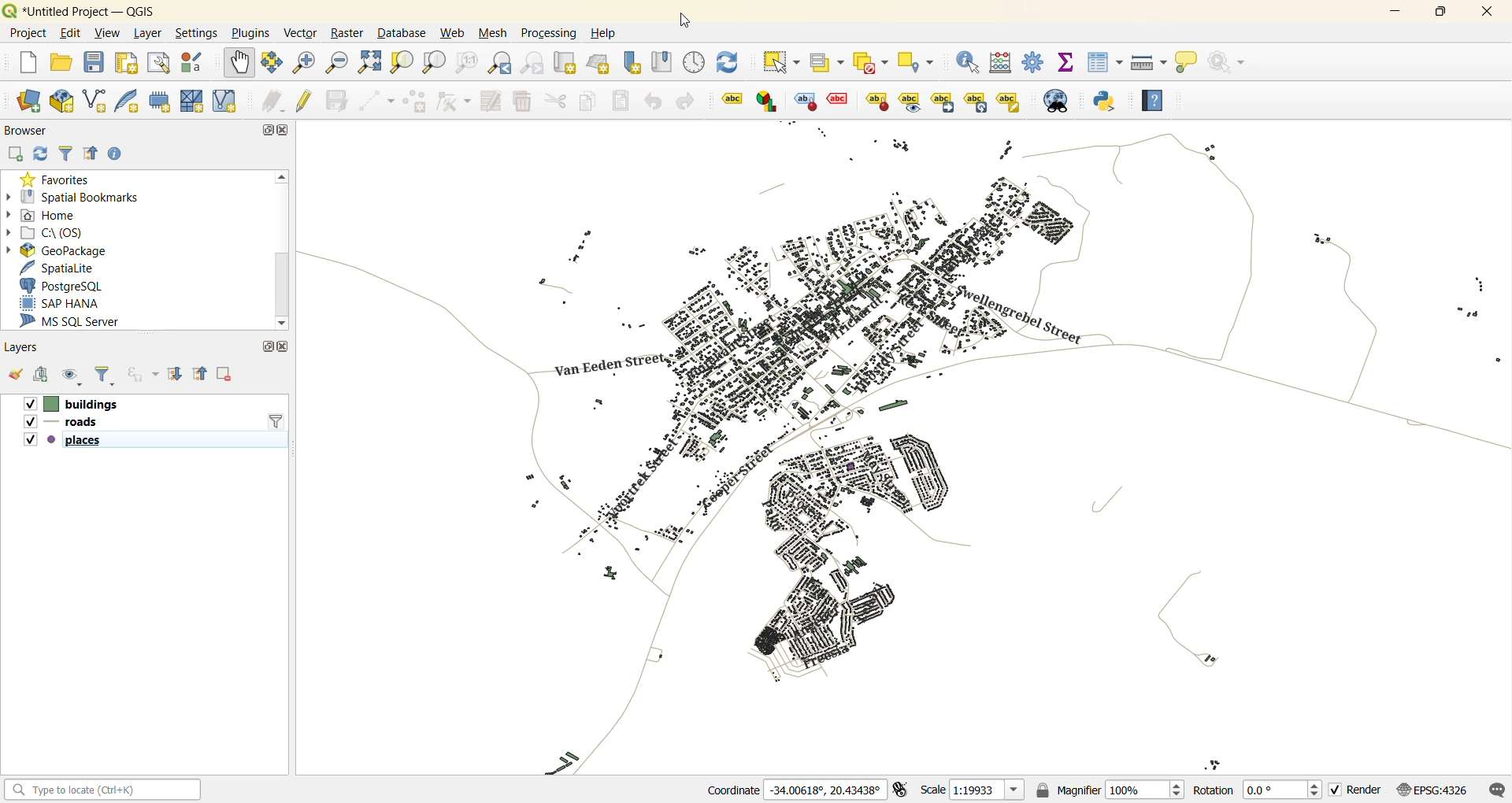  Describe the element at coordinates (146, 34) in the screenshot. I see `layer` at that location.